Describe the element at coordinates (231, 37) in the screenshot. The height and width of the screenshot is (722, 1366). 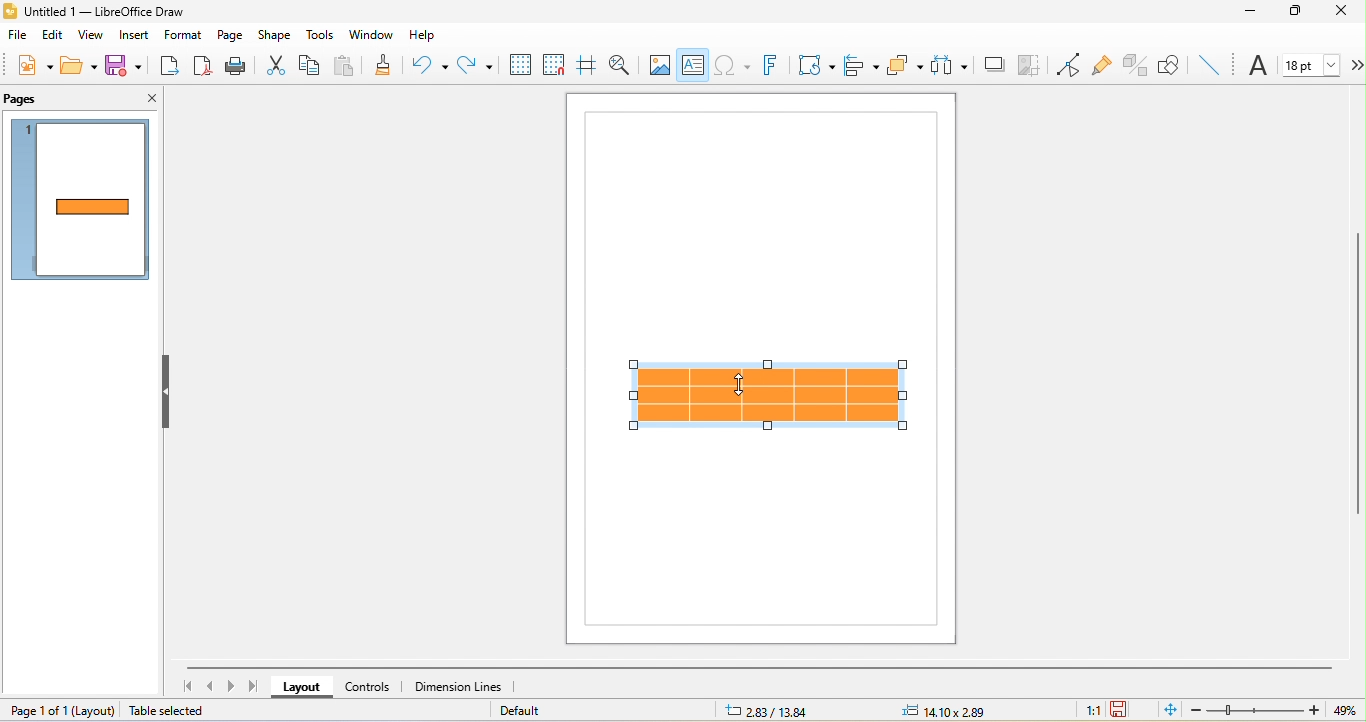
I see `page` at that location.